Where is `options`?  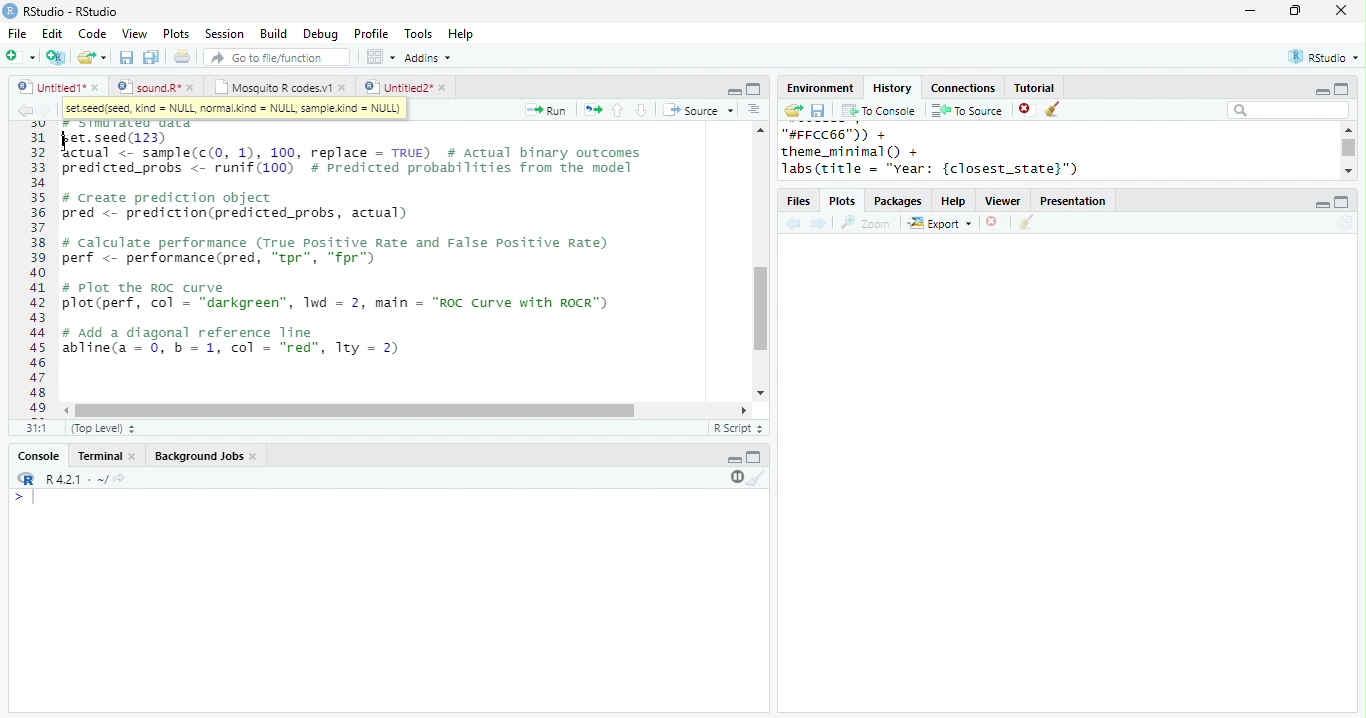 options is located at coordinates (754, 109).